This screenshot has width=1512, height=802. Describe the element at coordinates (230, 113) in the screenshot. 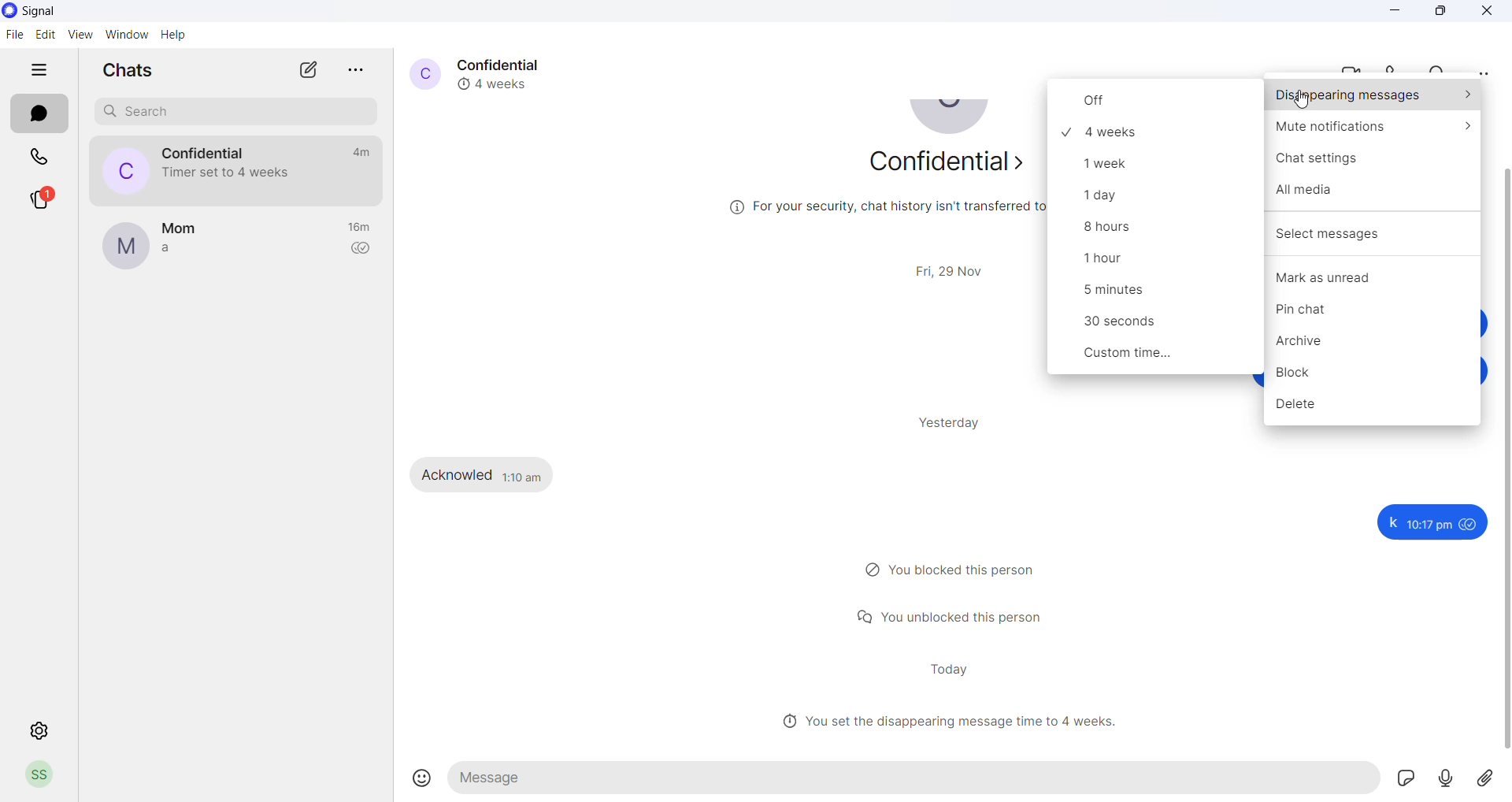

I see `search chat` at that location.